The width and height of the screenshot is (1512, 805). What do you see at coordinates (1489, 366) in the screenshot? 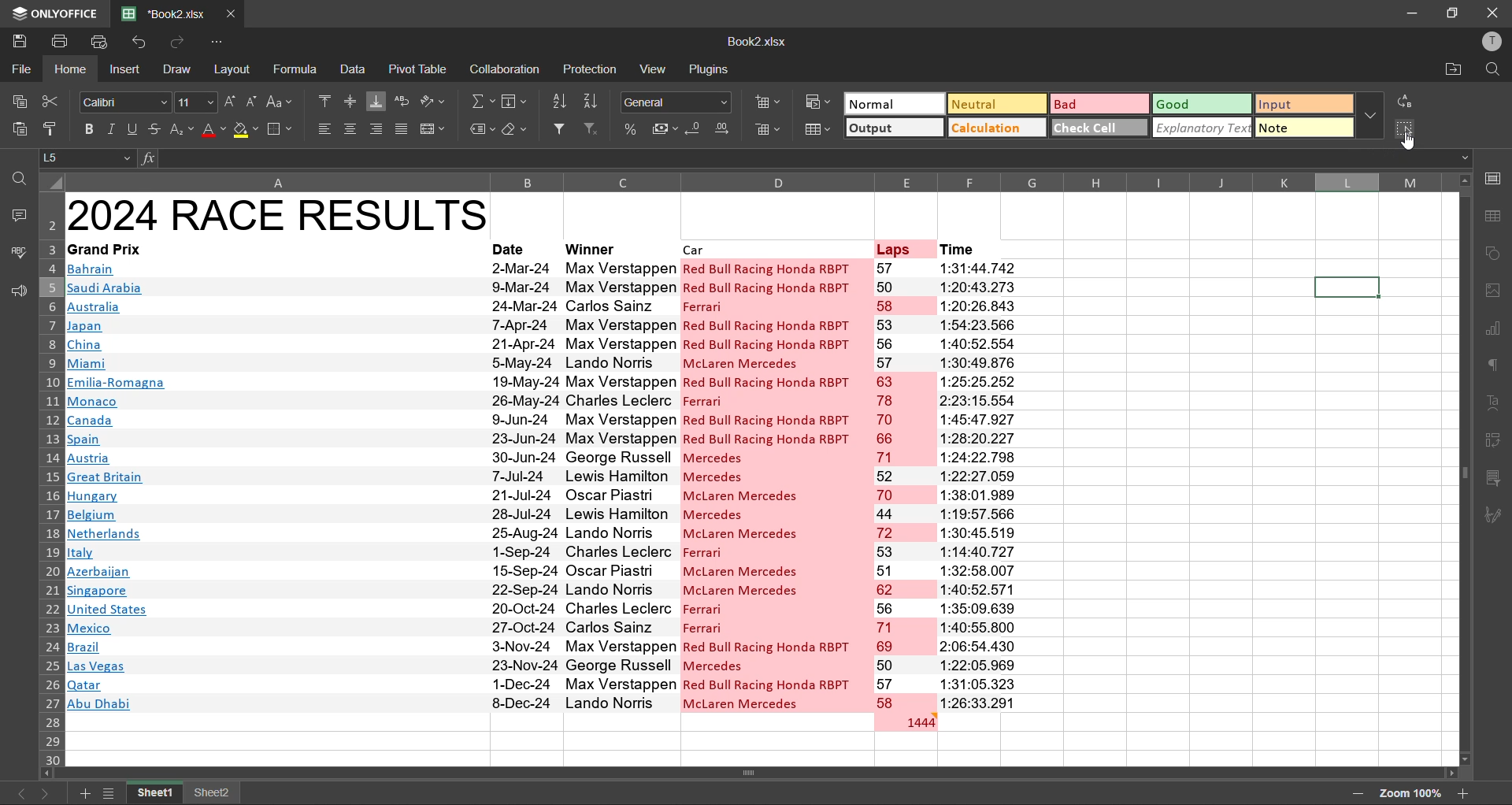
I see `paragraph` at bounding box center [1489, 366].